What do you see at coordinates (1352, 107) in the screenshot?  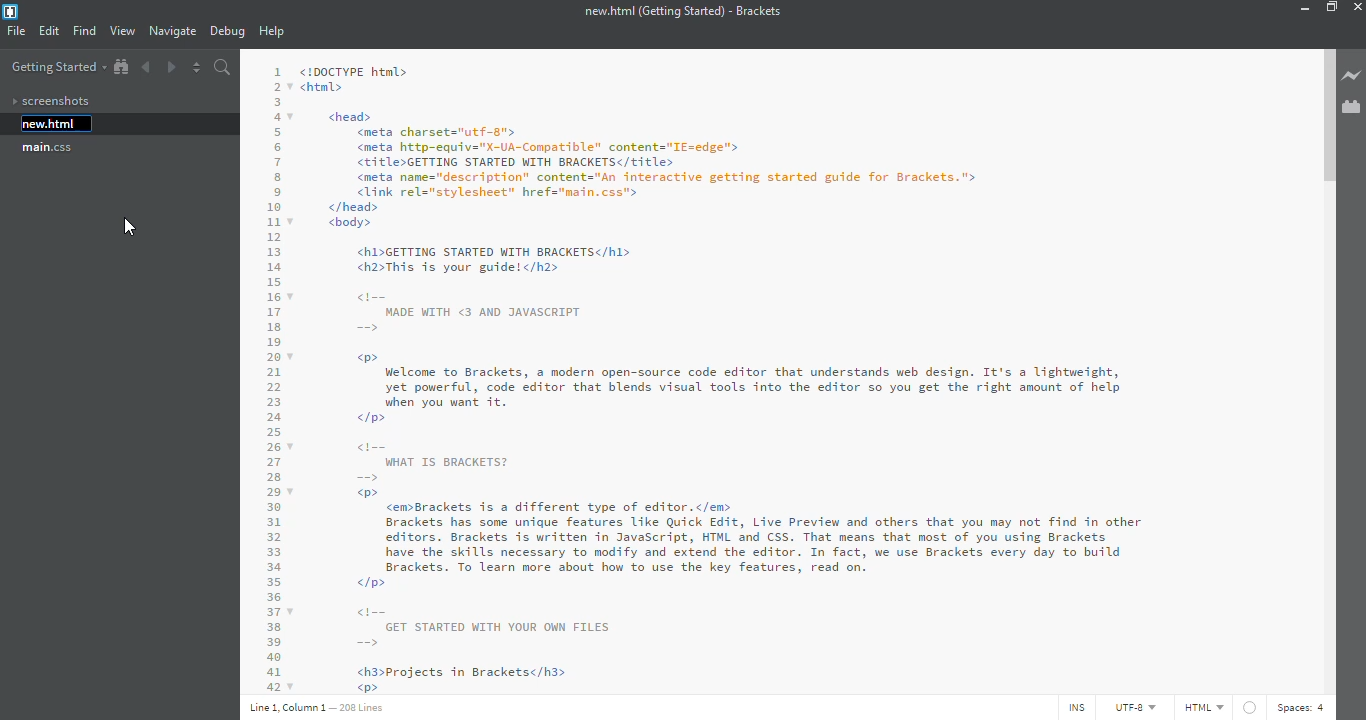 I see `extension manager` at bounding box center [1352, 107].